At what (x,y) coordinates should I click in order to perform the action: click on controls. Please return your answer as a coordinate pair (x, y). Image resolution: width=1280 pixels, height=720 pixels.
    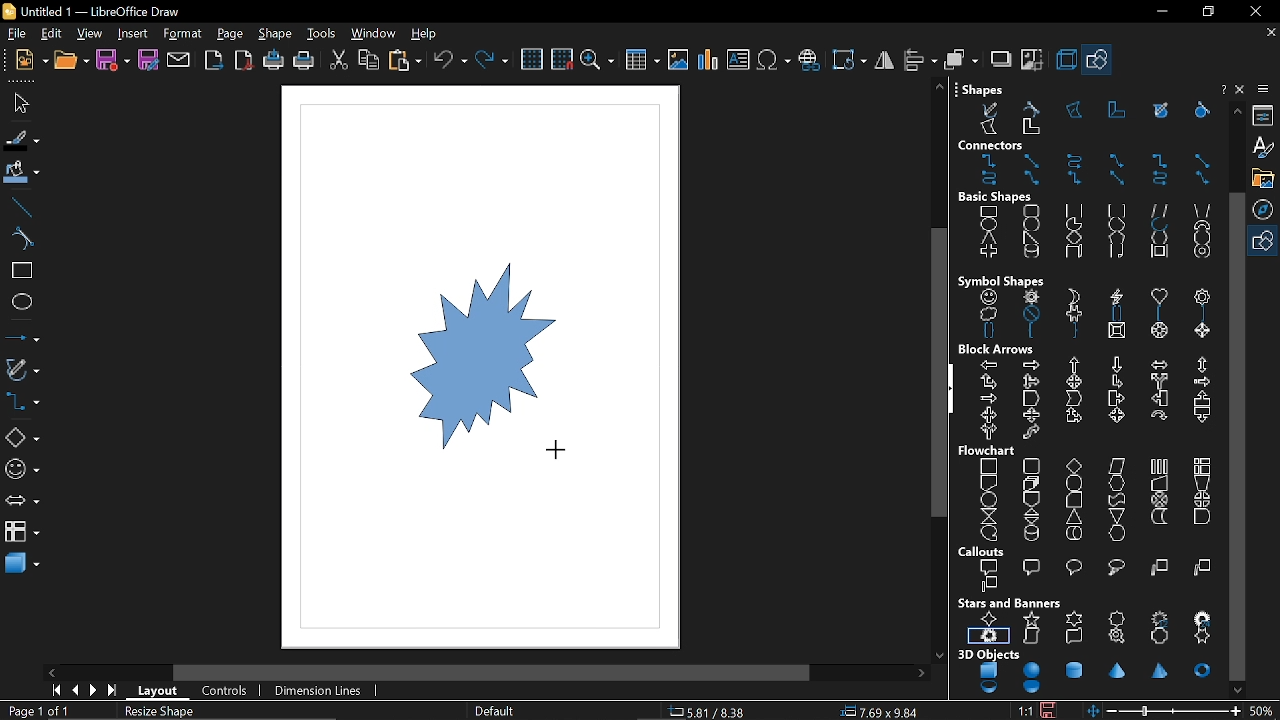
    Looking at the image, I should click on (229, 691).